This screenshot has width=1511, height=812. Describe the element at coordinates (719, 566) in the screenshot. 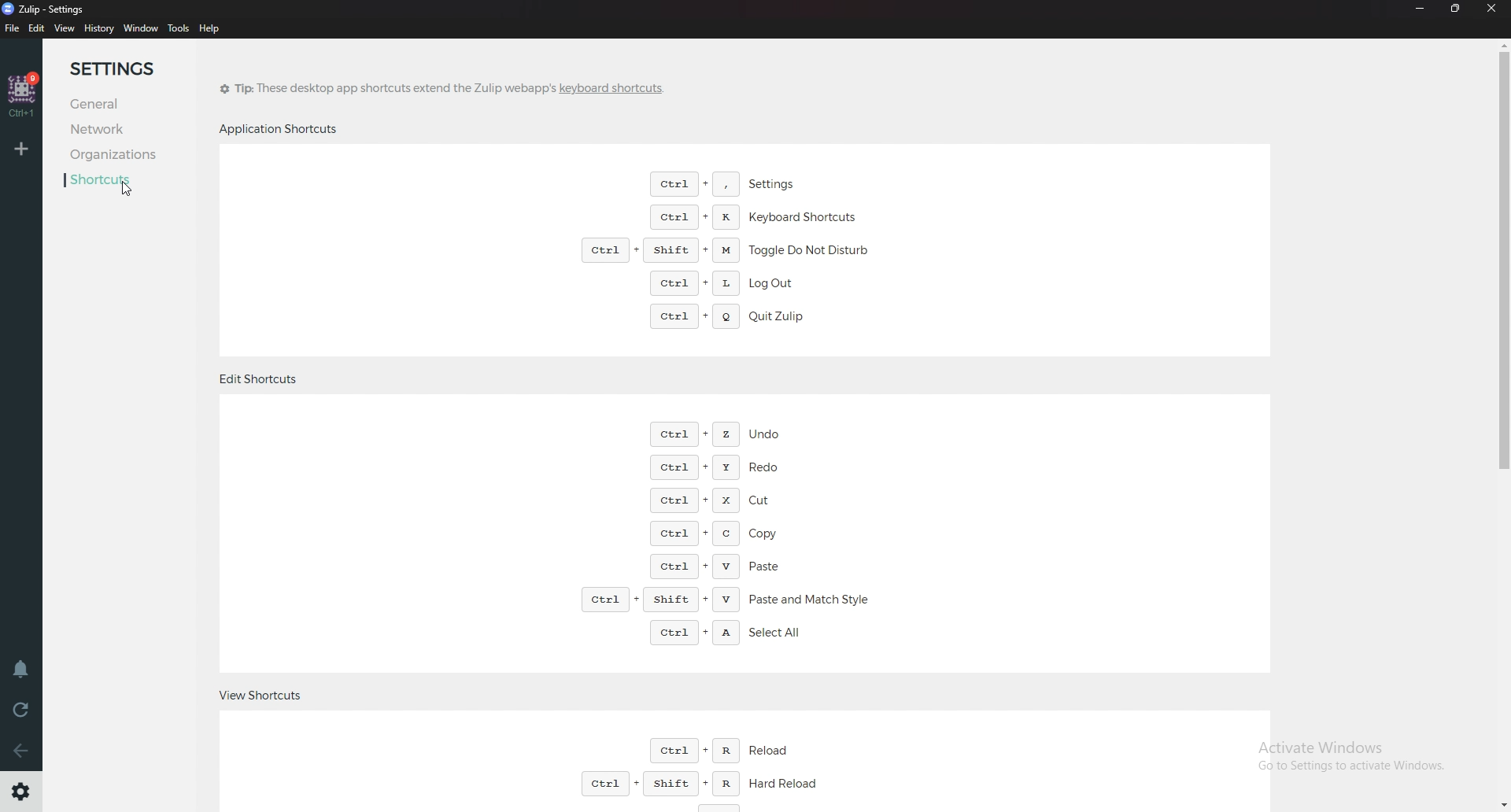

I see `Paste` at that location.